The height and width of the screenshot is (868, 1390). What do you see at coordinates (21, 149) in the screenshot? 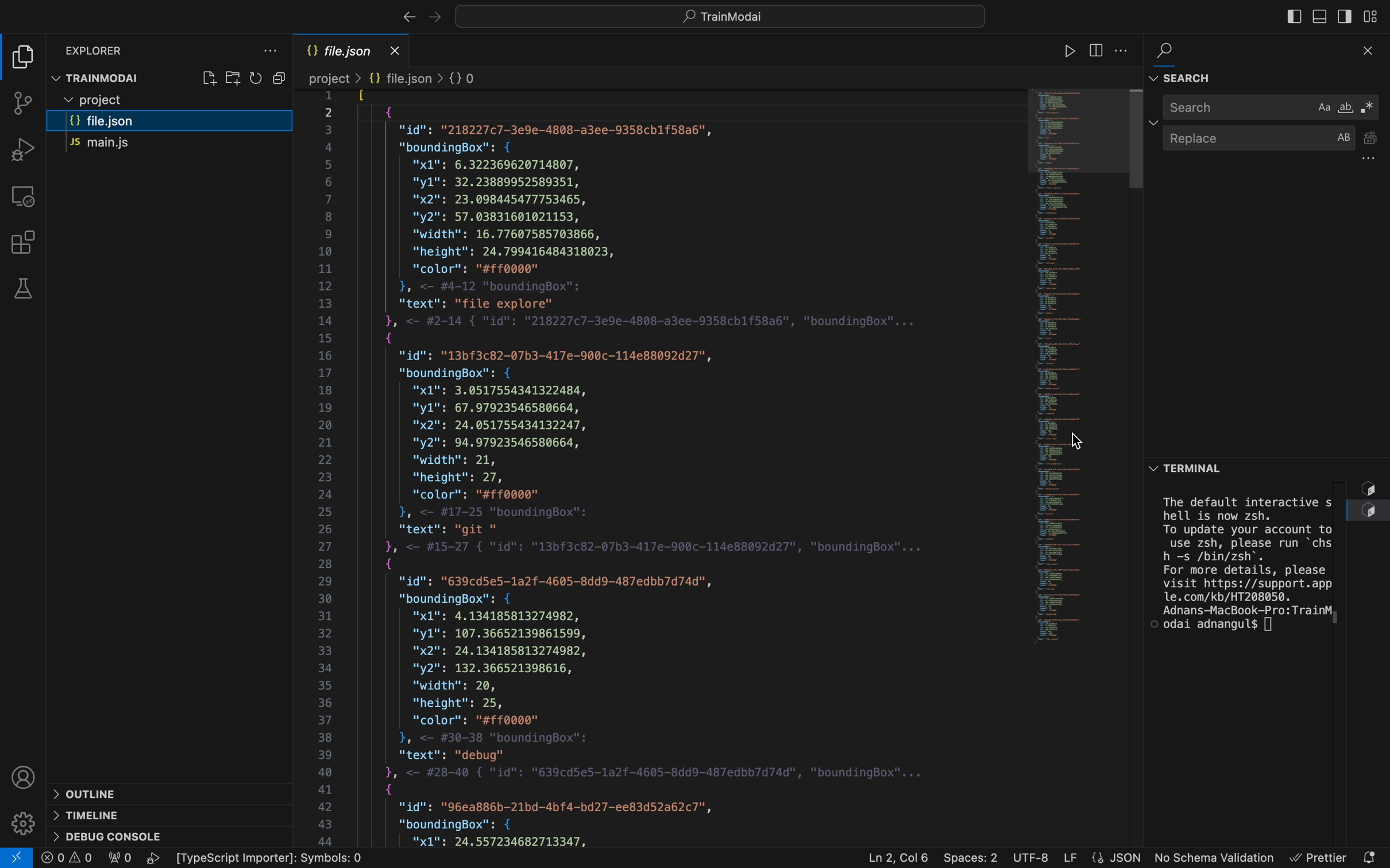
I see `debug tool` at bounding box center [21, 149].